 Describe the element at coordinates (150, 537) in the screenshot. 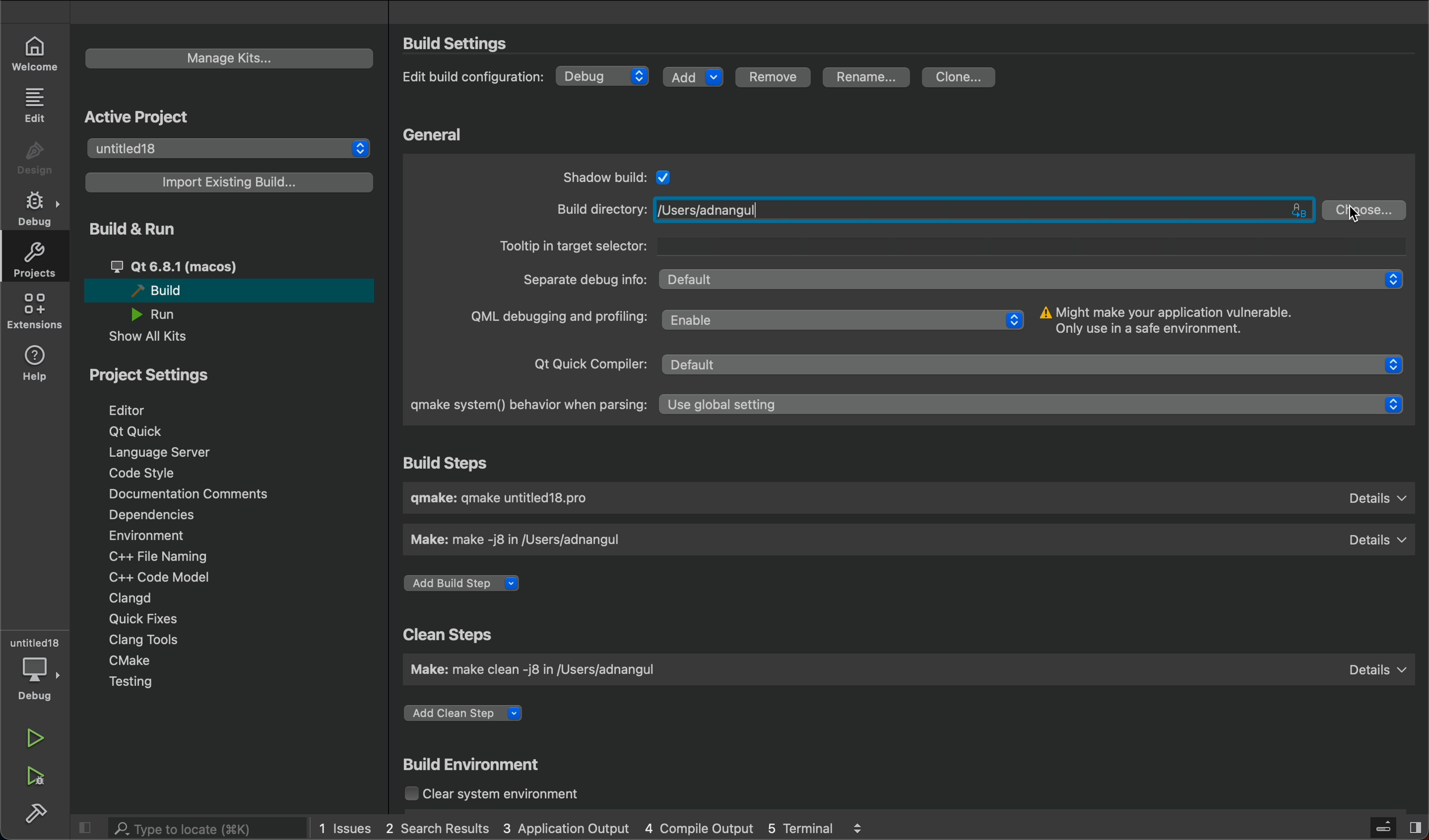

I see `environment` at that location.